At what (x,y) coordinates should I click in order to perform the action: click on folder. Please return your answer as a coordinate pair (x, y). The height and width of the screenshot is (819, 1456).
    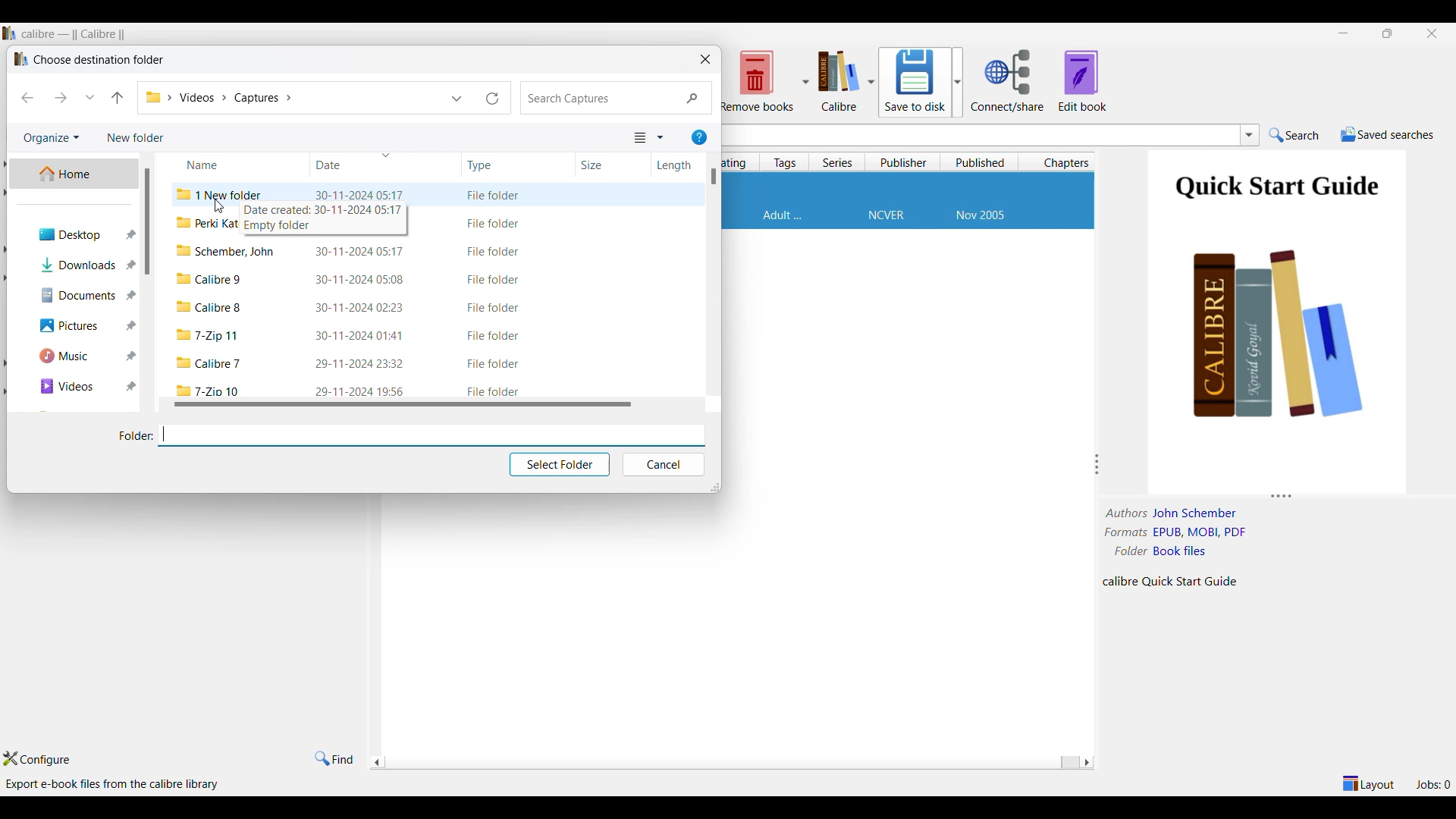
    Looking at the image, I should click on (209, 278).